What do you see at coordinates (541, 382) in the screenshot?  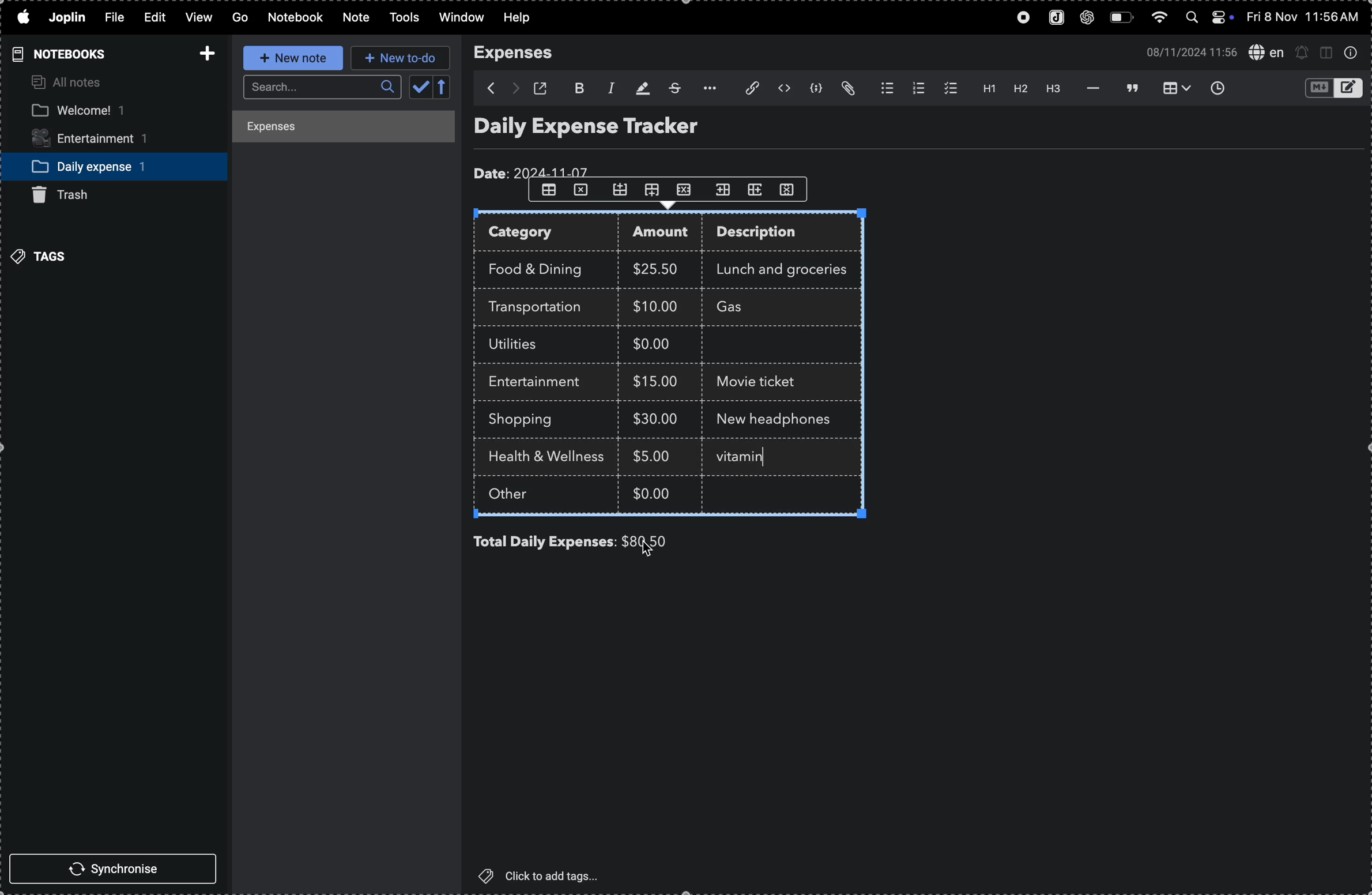 I see `entertainment` at bounding box center [541, 382].